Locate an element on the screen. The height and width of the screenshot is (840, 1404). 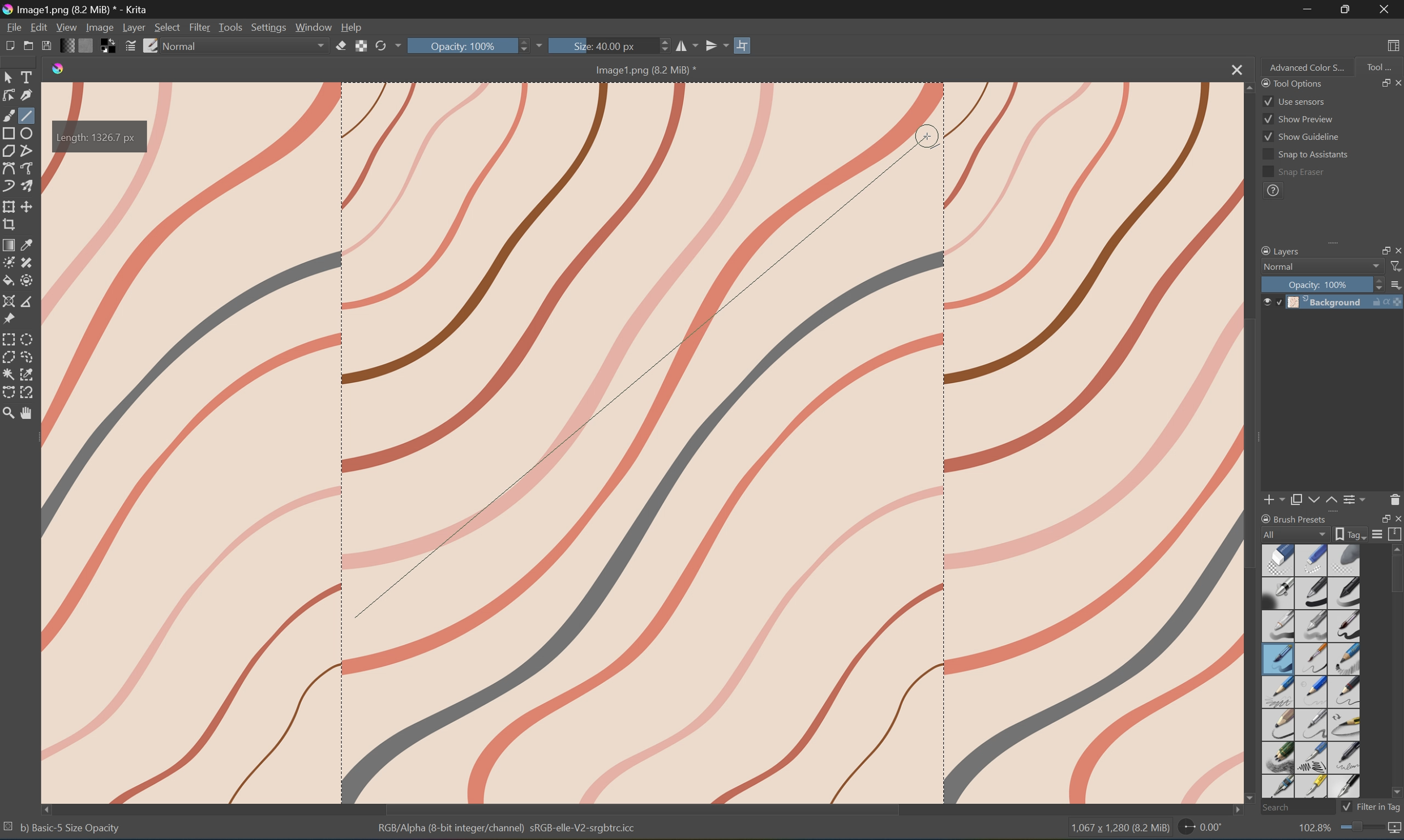
Sample a color from an image or area is located at coordinates (28, 243).